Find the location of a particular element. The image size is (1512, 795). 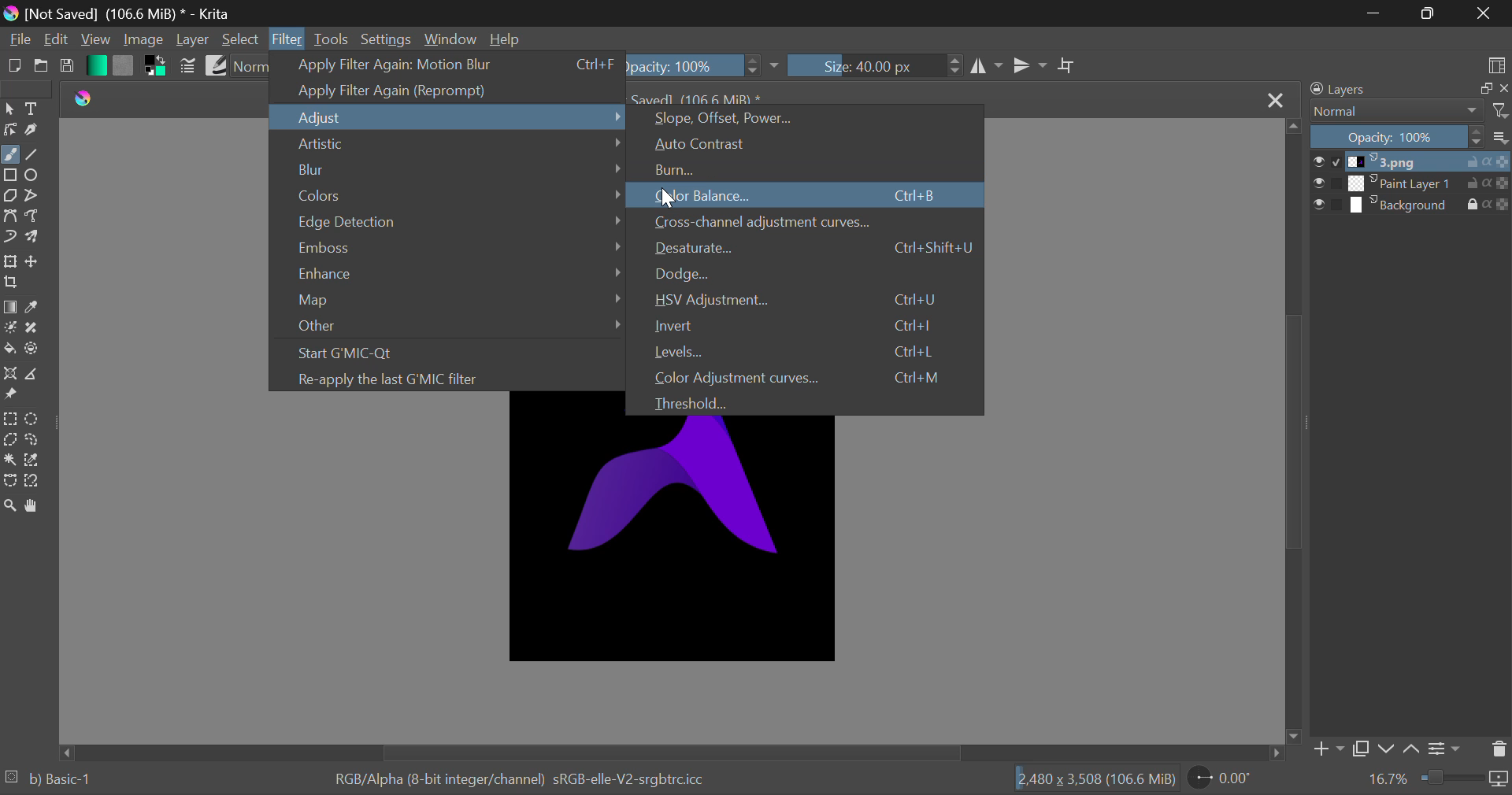

Pattern is located at coordinates (124, 65).